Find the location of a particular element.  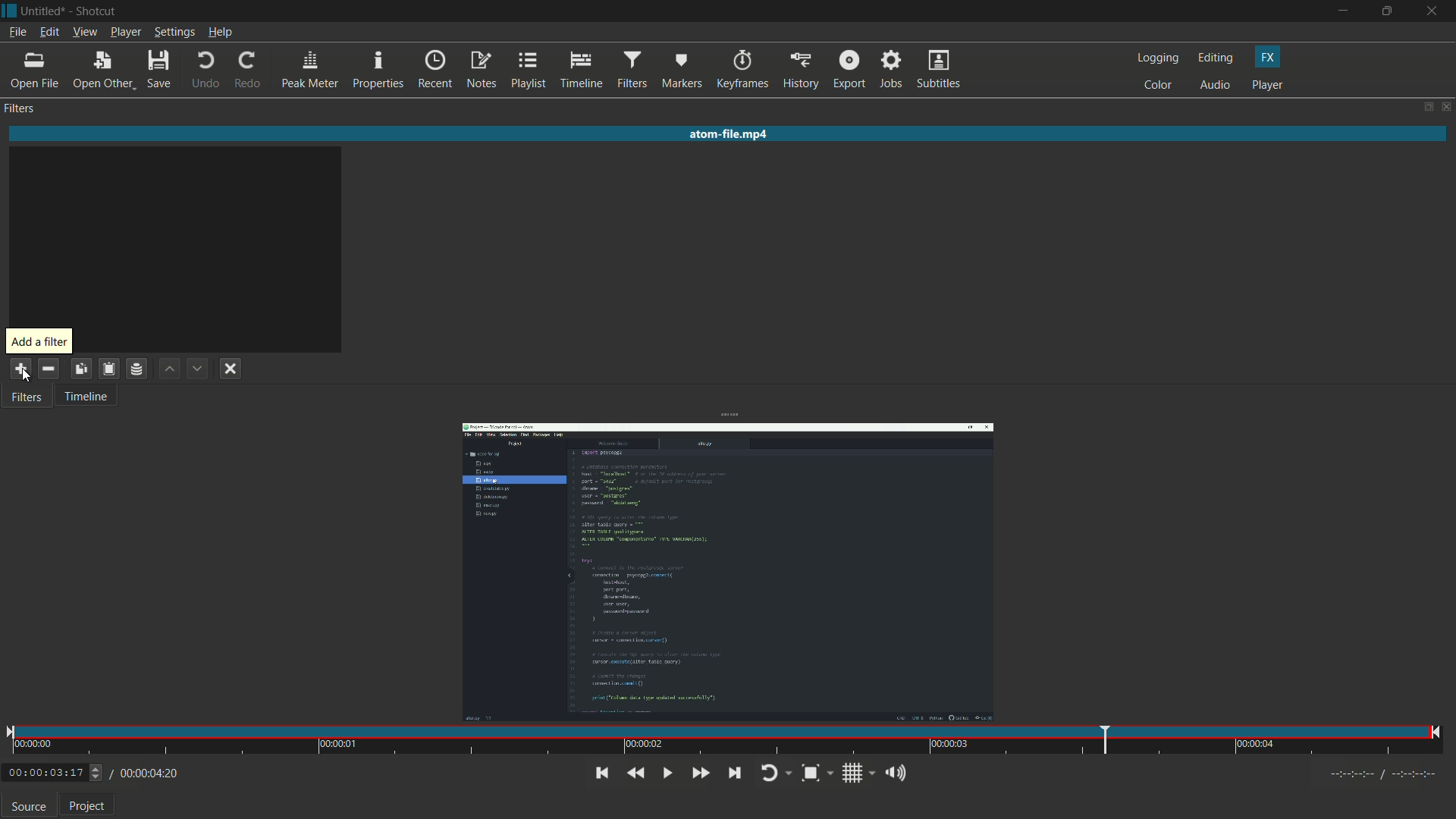

toggle zoom is located at coordinates (817, 773).